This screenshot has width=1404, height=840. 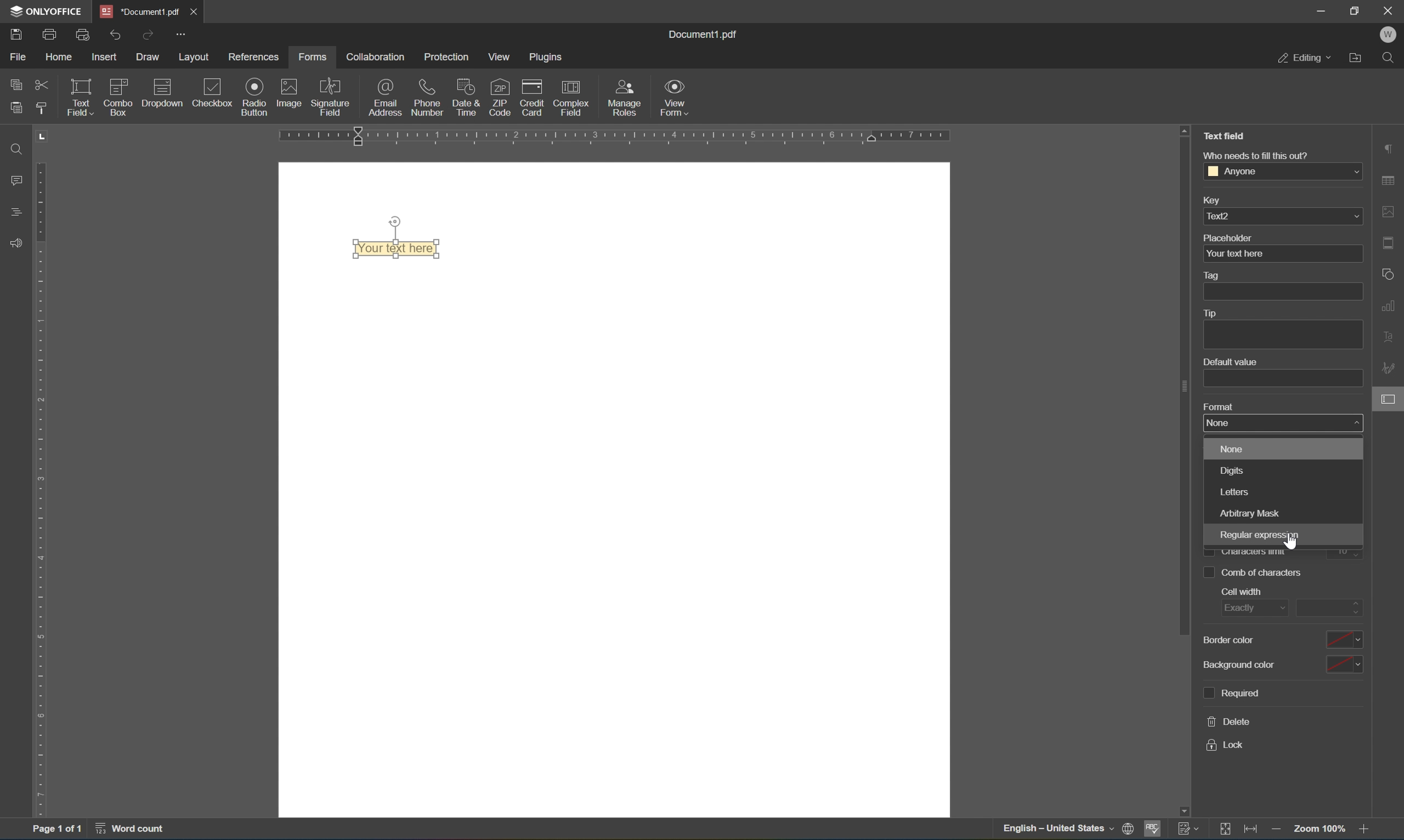 What do you see at coordinates (1154, 829) in the screenshot?
I see `spell checking` at bounding box center [1154, 829].